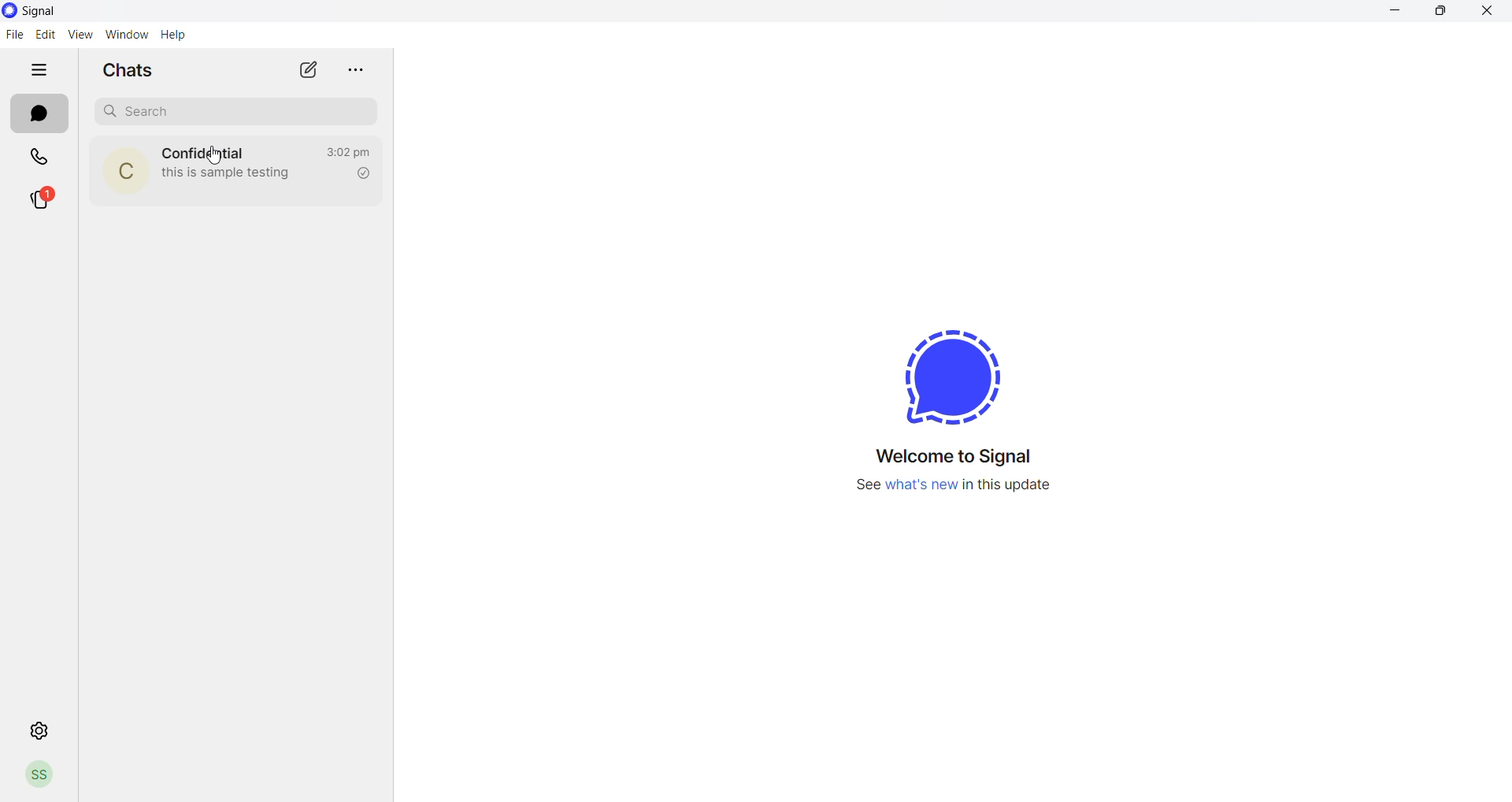  What do you see at coordinates (358, 70) in the screenshot?
I see `more options` at bounding box center [358, 70].